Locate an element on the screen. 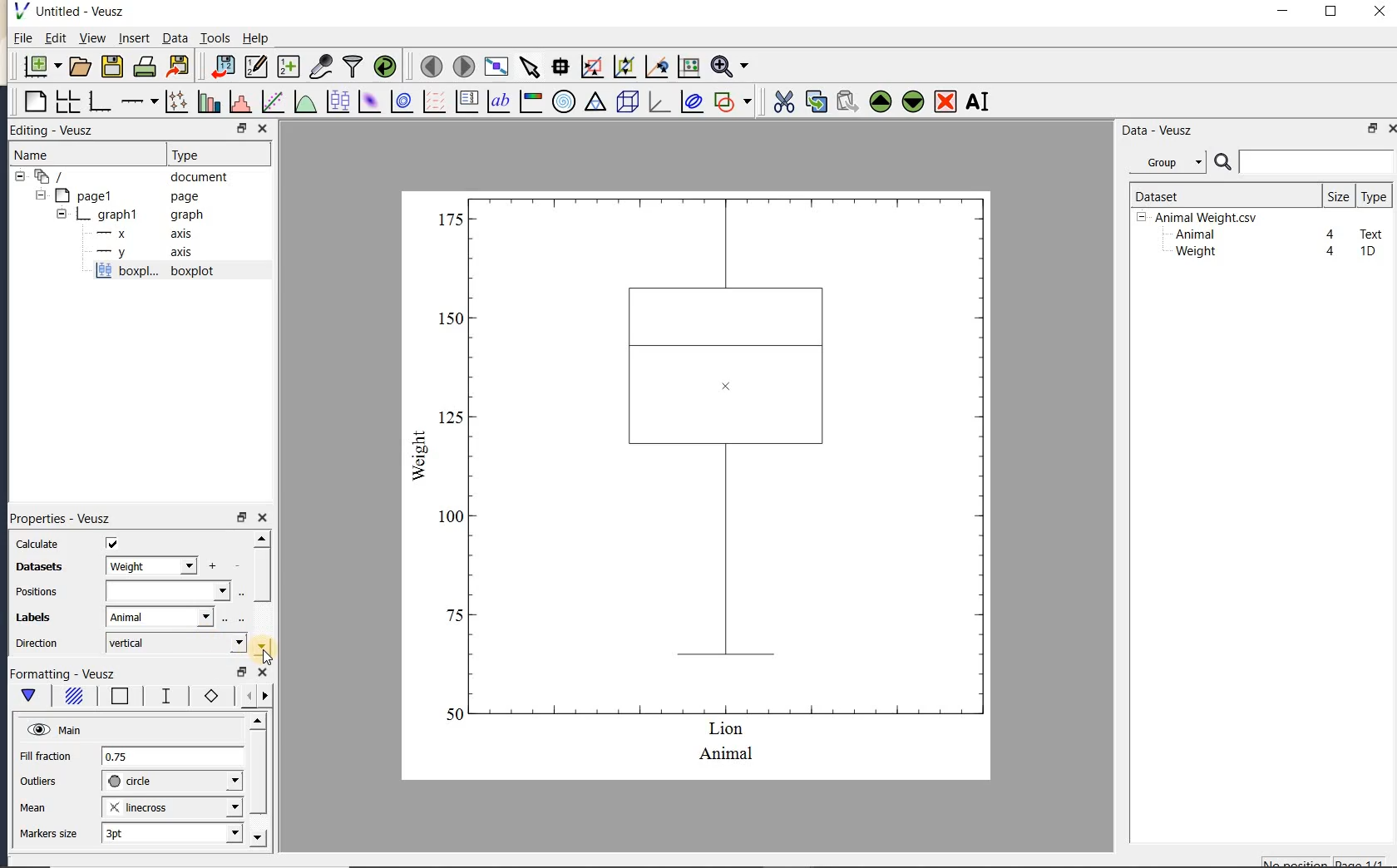 Image resolution: width=1397 pixels, height=868 pixels. search datasets is located at coordinates (1304, 162).